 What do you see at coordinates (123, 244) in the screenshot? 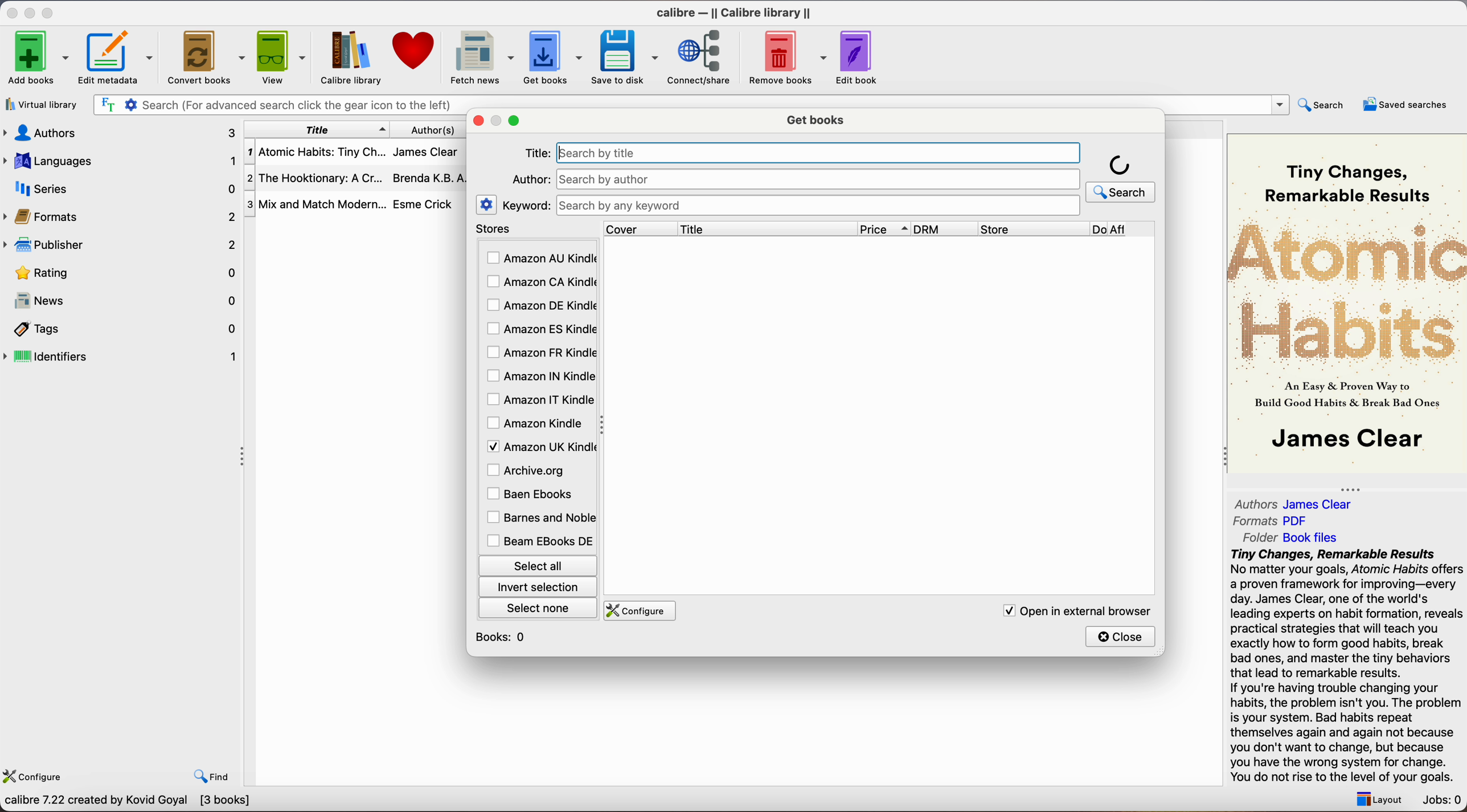
I see `publisher` at bounding box center [123, 244].